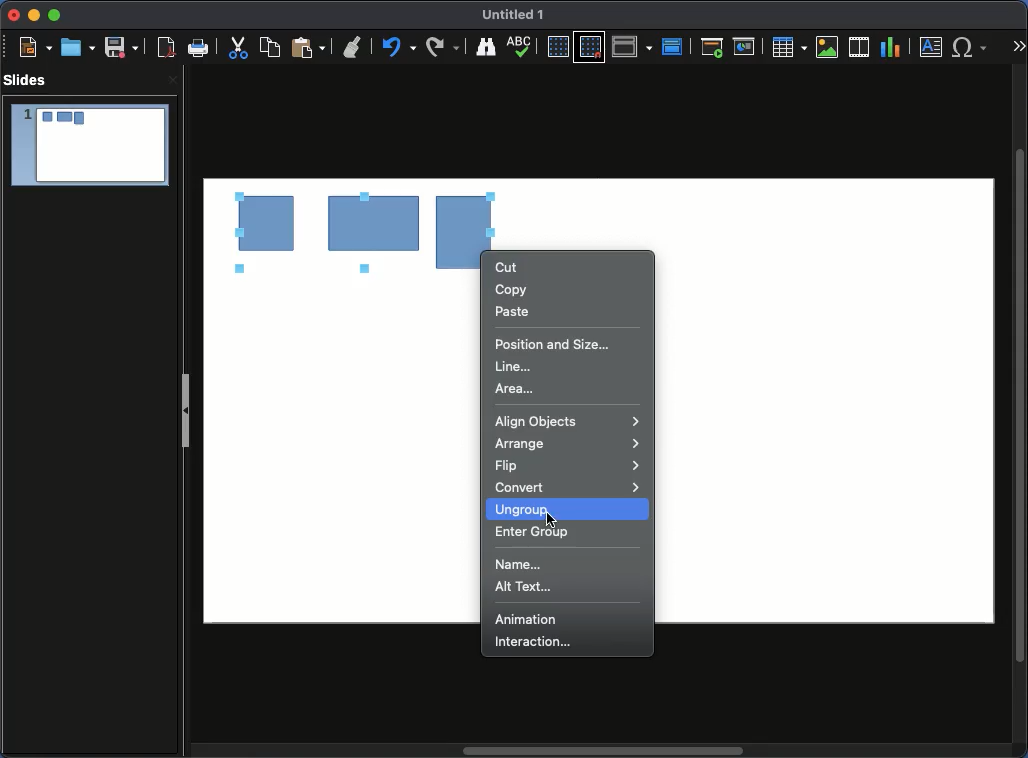  I want to click on Slide panel, so click(186, 414).